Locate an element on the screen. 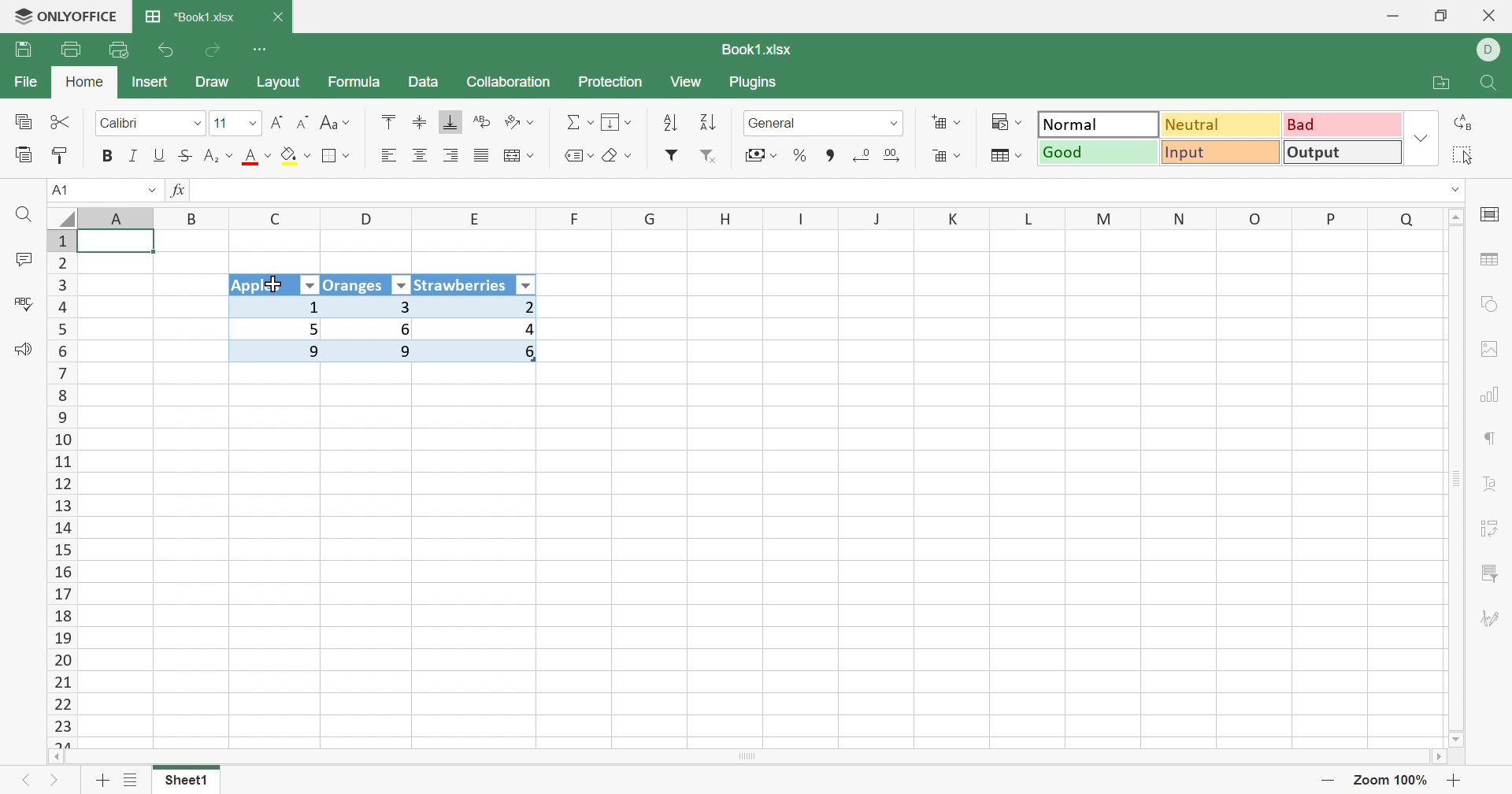 The image size is (1512, 794). D is located at coordinates (1489, 50).